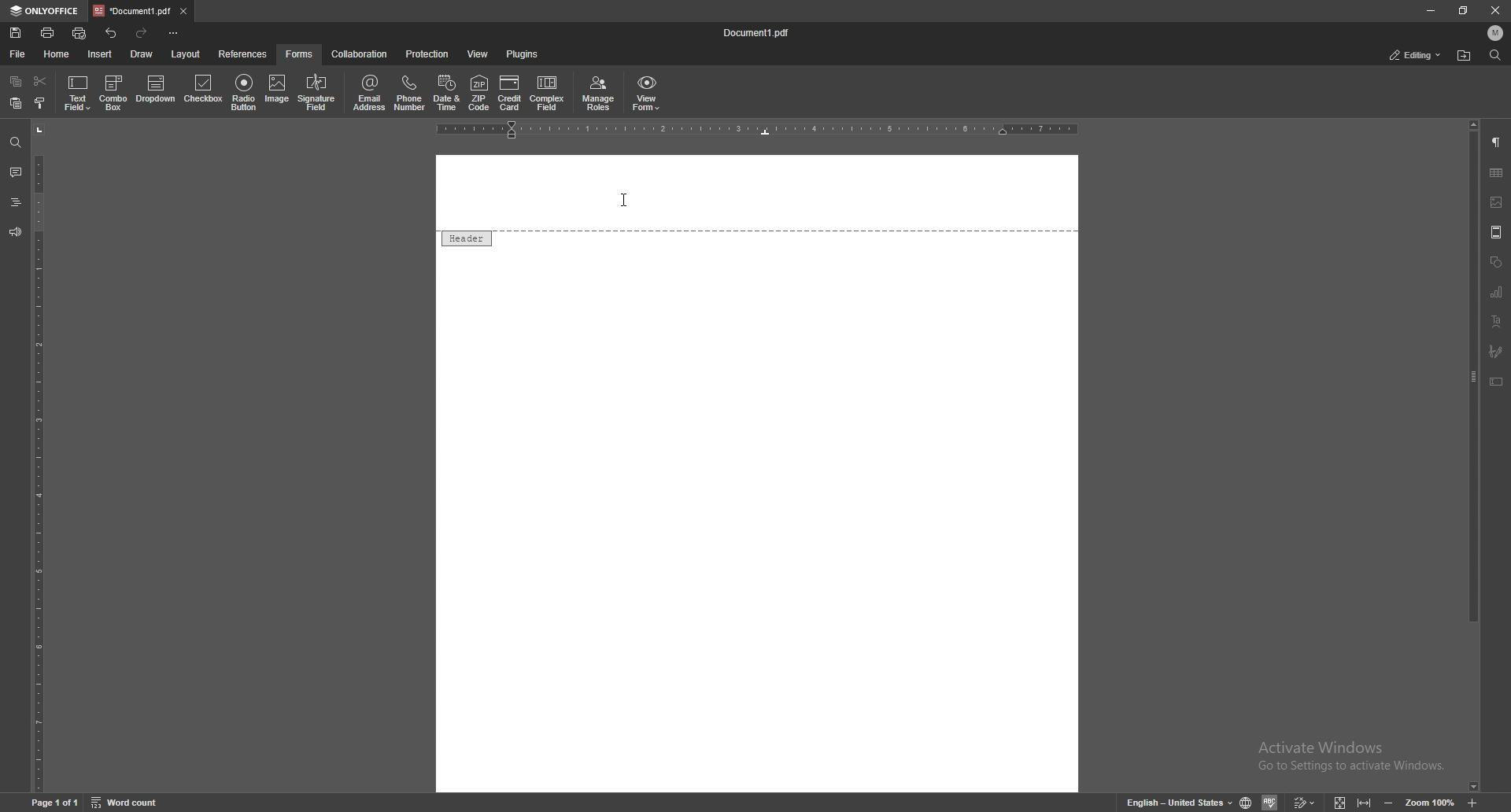 This screenshot has height=812, width=1511. Describe the element at coordinates (16, 172) in the screenshot. I see `comment` at that location.